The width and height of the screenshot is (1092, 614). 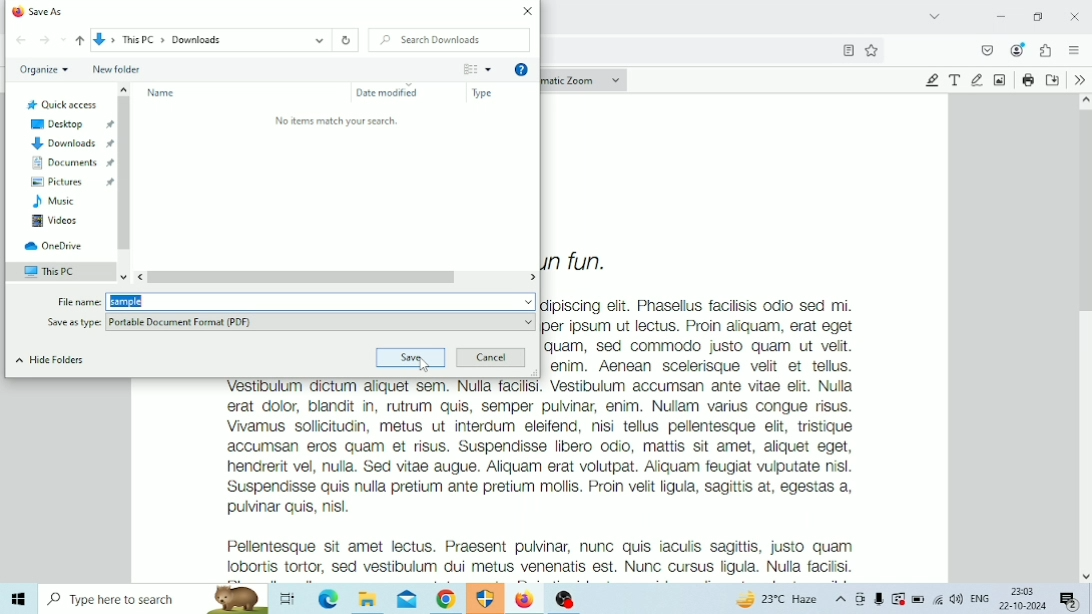 What do you see at coordinates (63, 38) in the screenshot?
I see `Recent locations` at bounding box center [63, 38].